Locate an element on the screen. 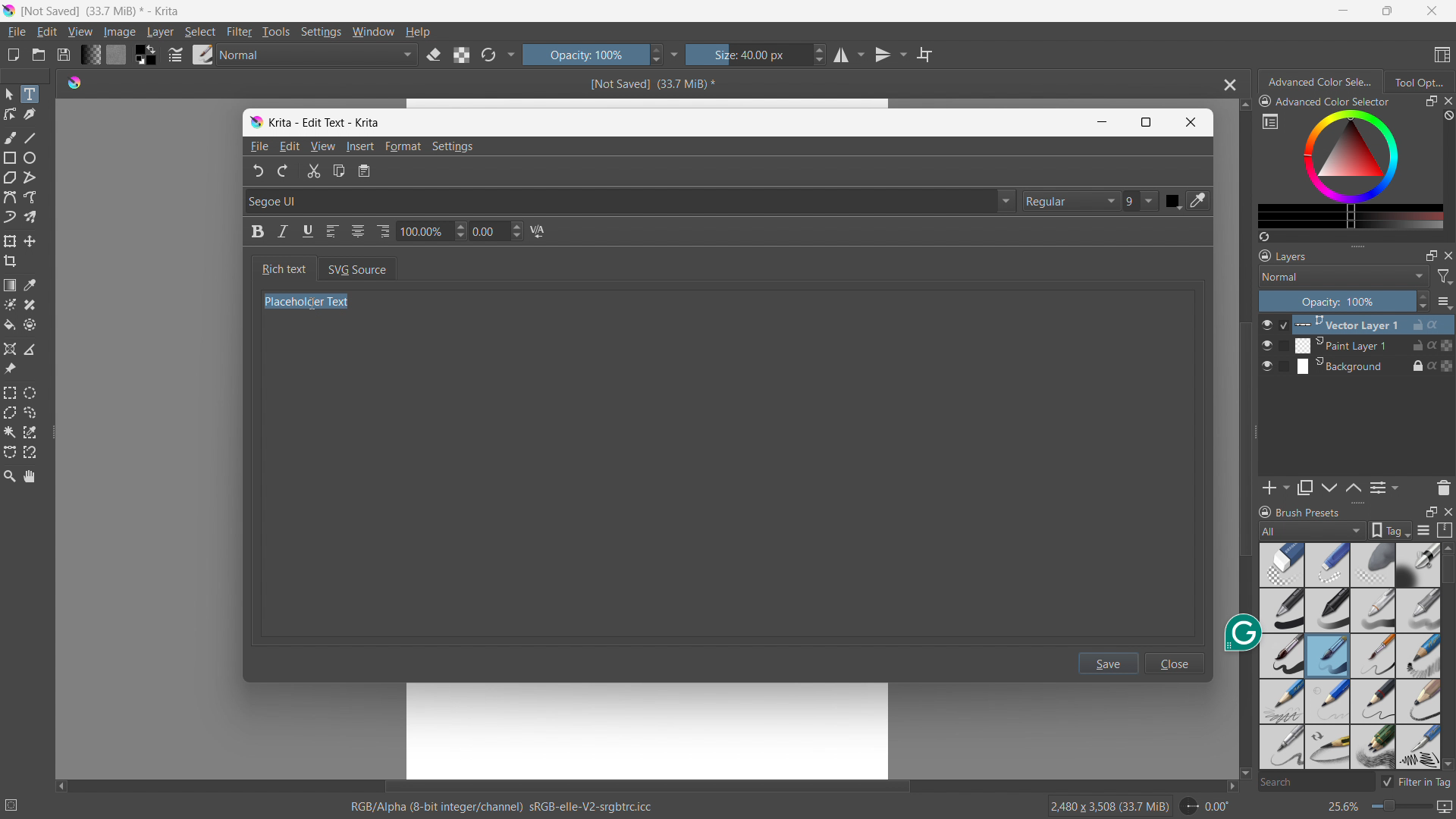 This screenshot has height=819, width=1456. pencil is located at coordinates (1417, 747).